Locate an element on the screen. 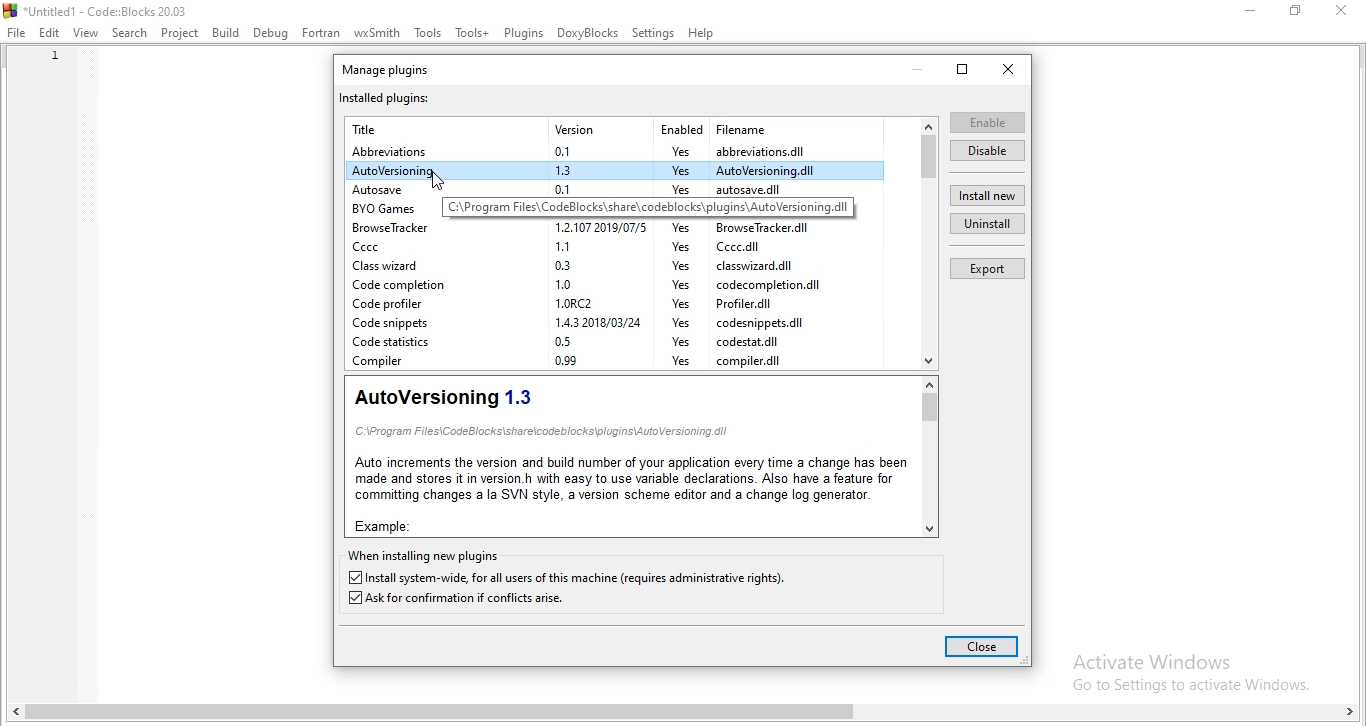 This screenshot has width=1366, height=726. C:\Program Files\CodeBlocks\share\codeblocks\plugins\AutoVersioning.dil is located at coordinates (648, 208).